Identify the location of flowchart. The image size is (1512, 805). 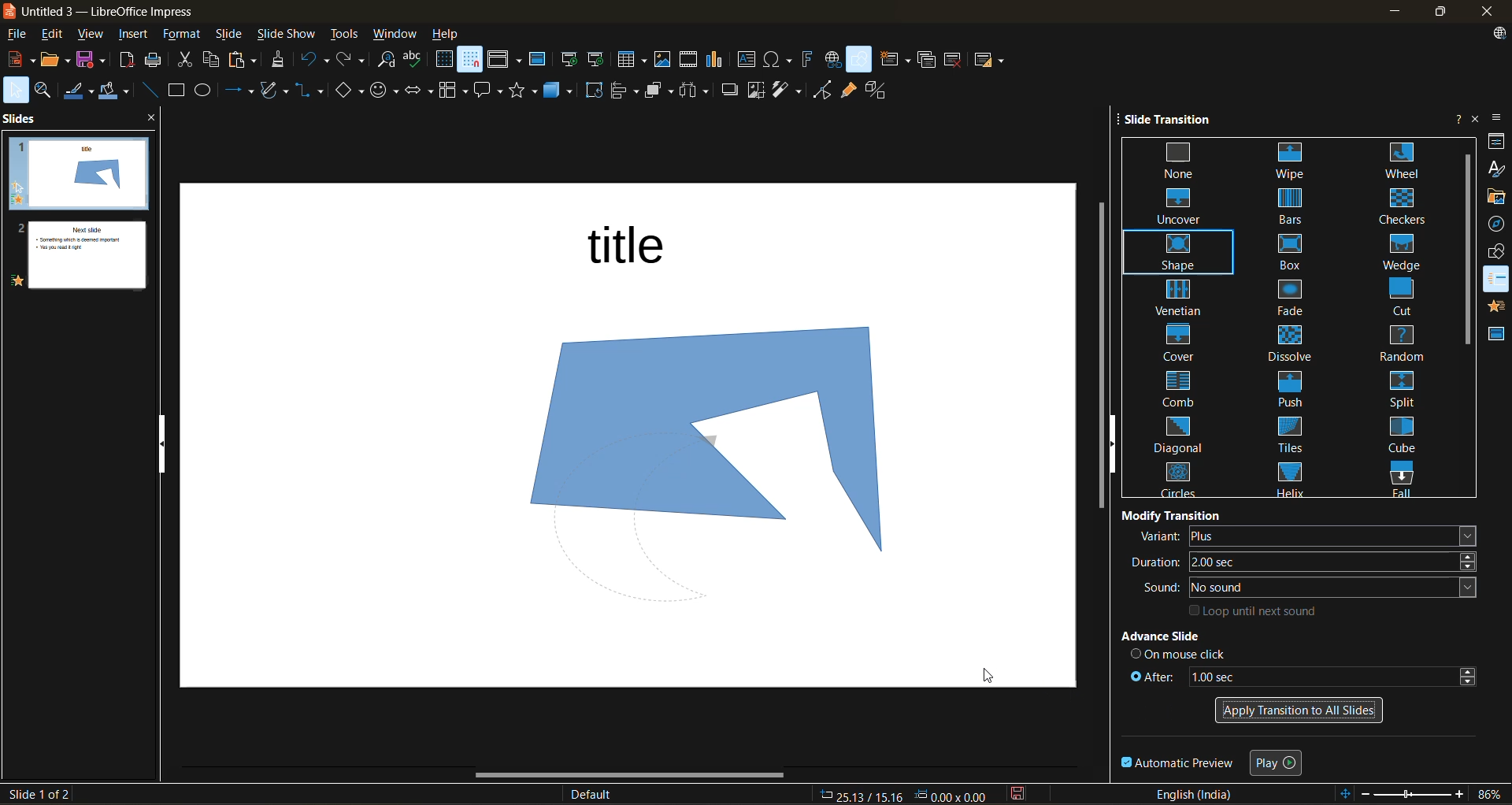
(452, 91).